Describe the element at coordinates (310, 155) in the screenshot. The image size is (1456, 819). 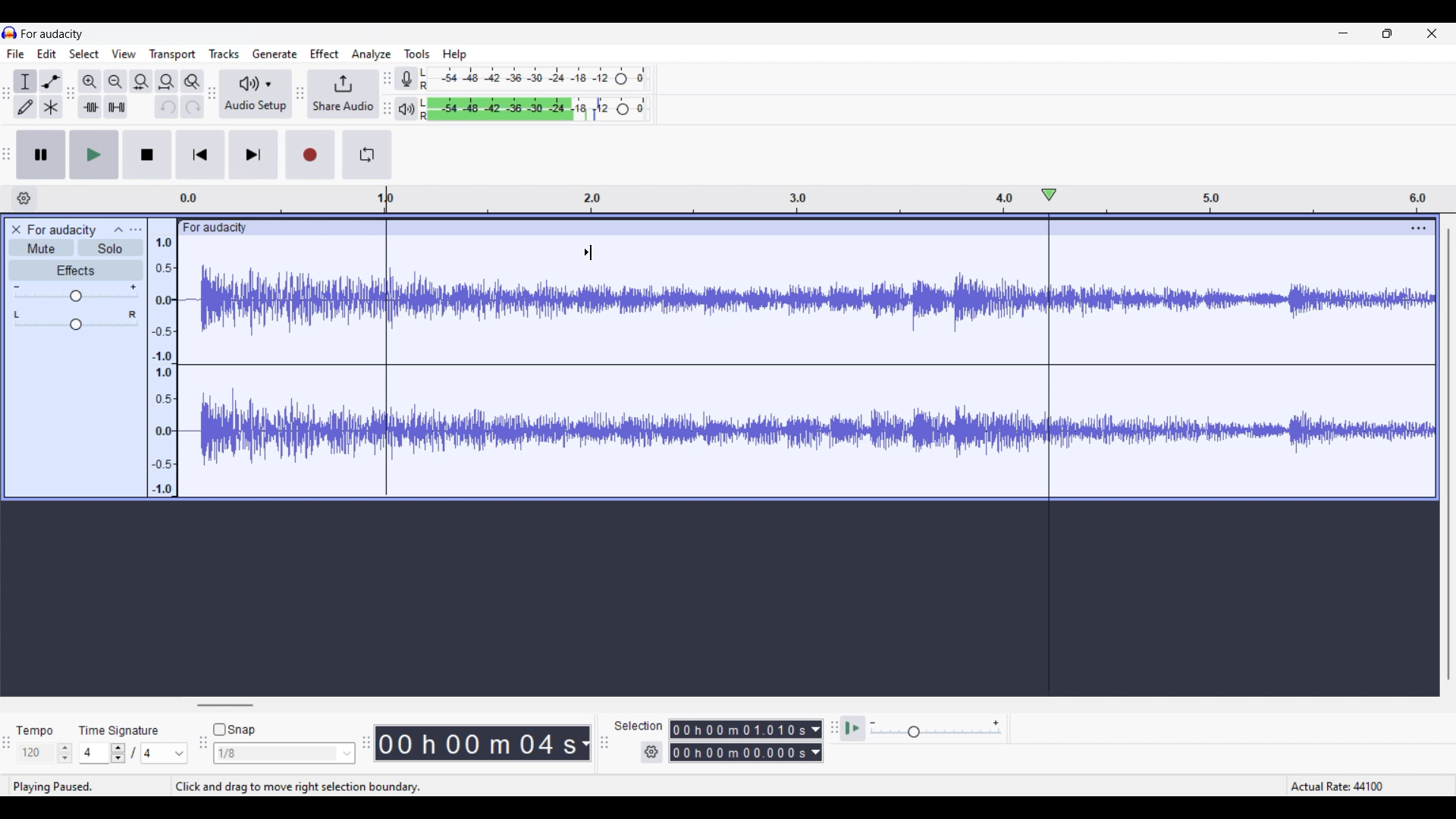
I see `Record/Record new track` at that location.